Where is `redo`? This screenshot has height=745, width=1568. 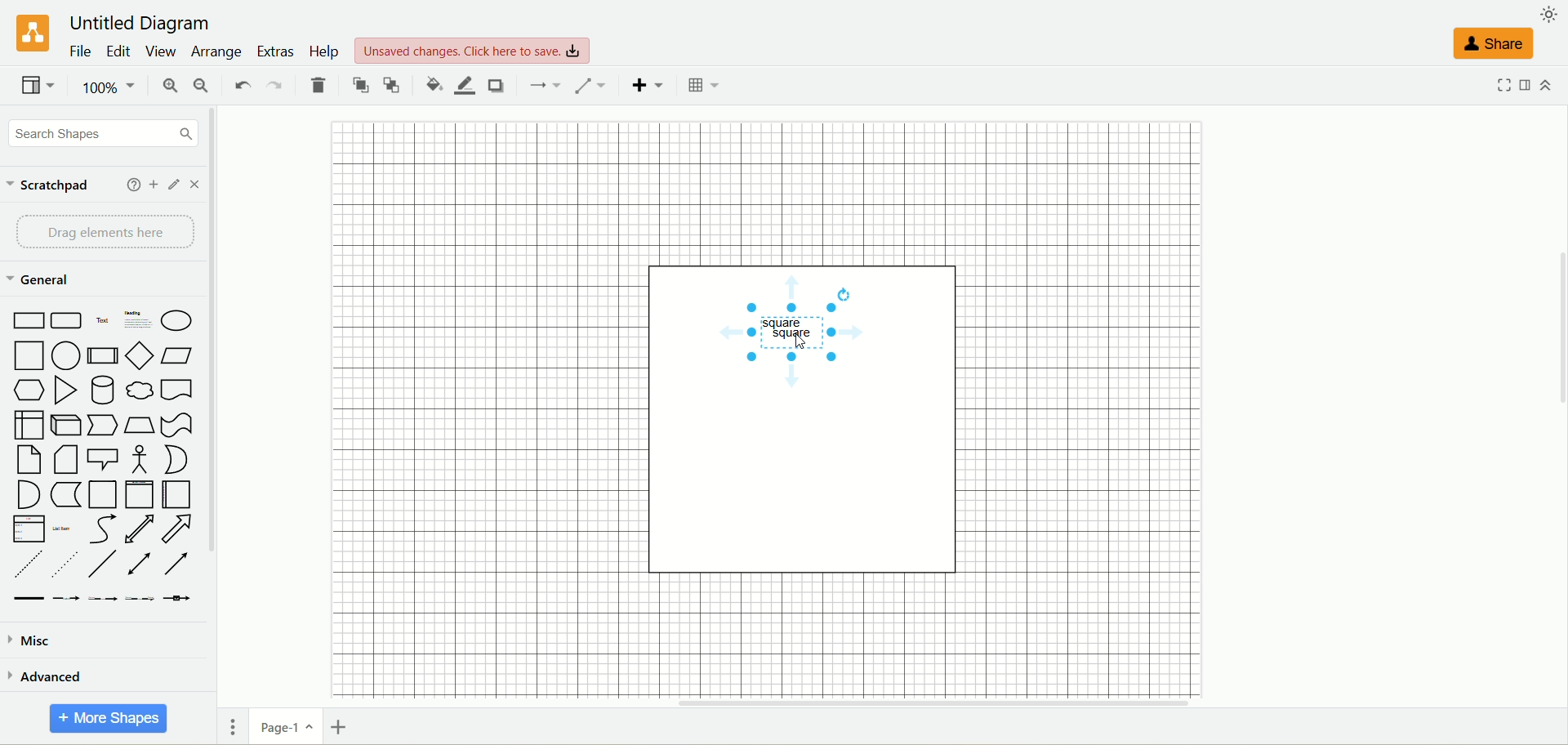 redo is located at coordinates (270, 87).